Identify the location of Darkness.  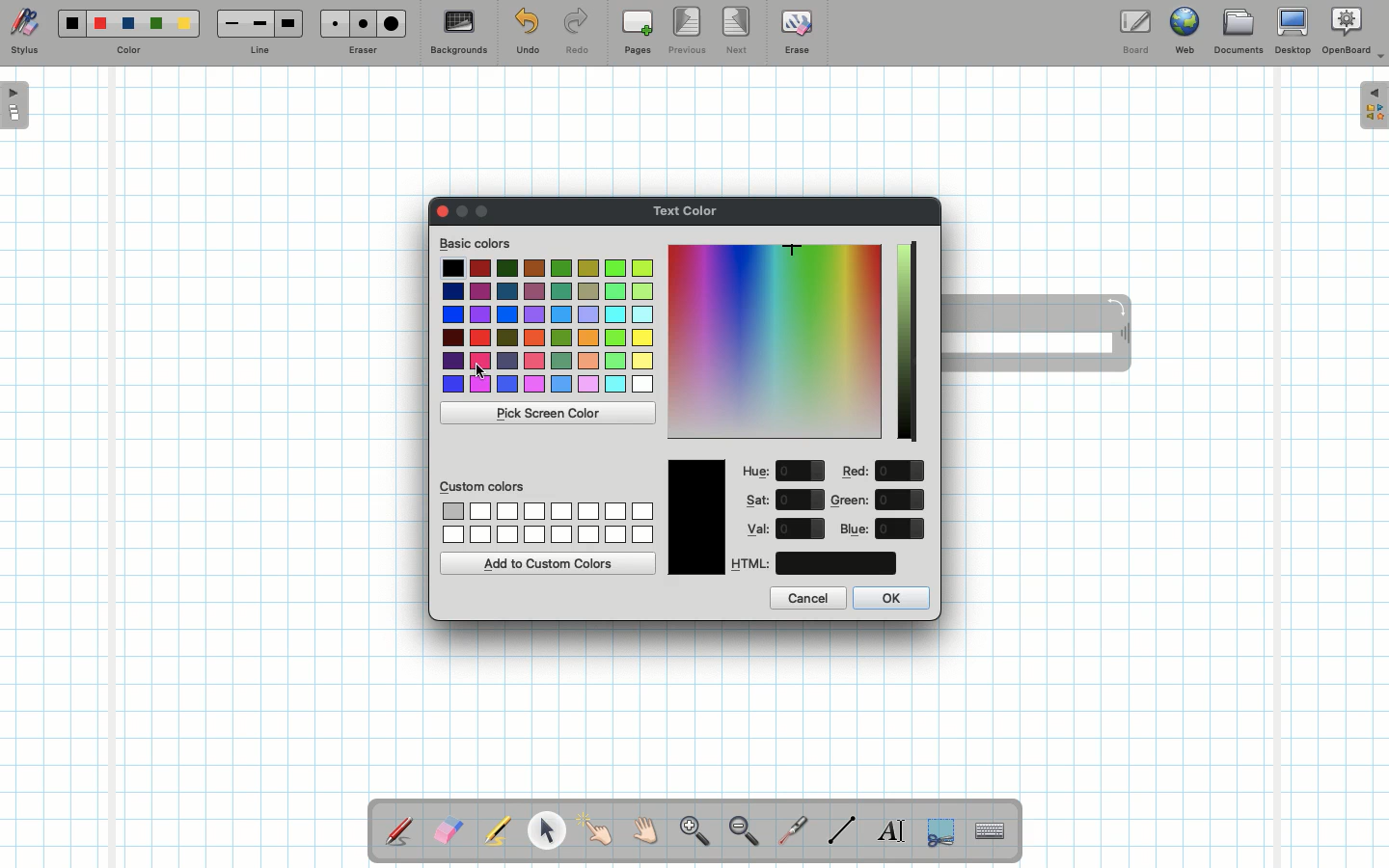
(912, 343).